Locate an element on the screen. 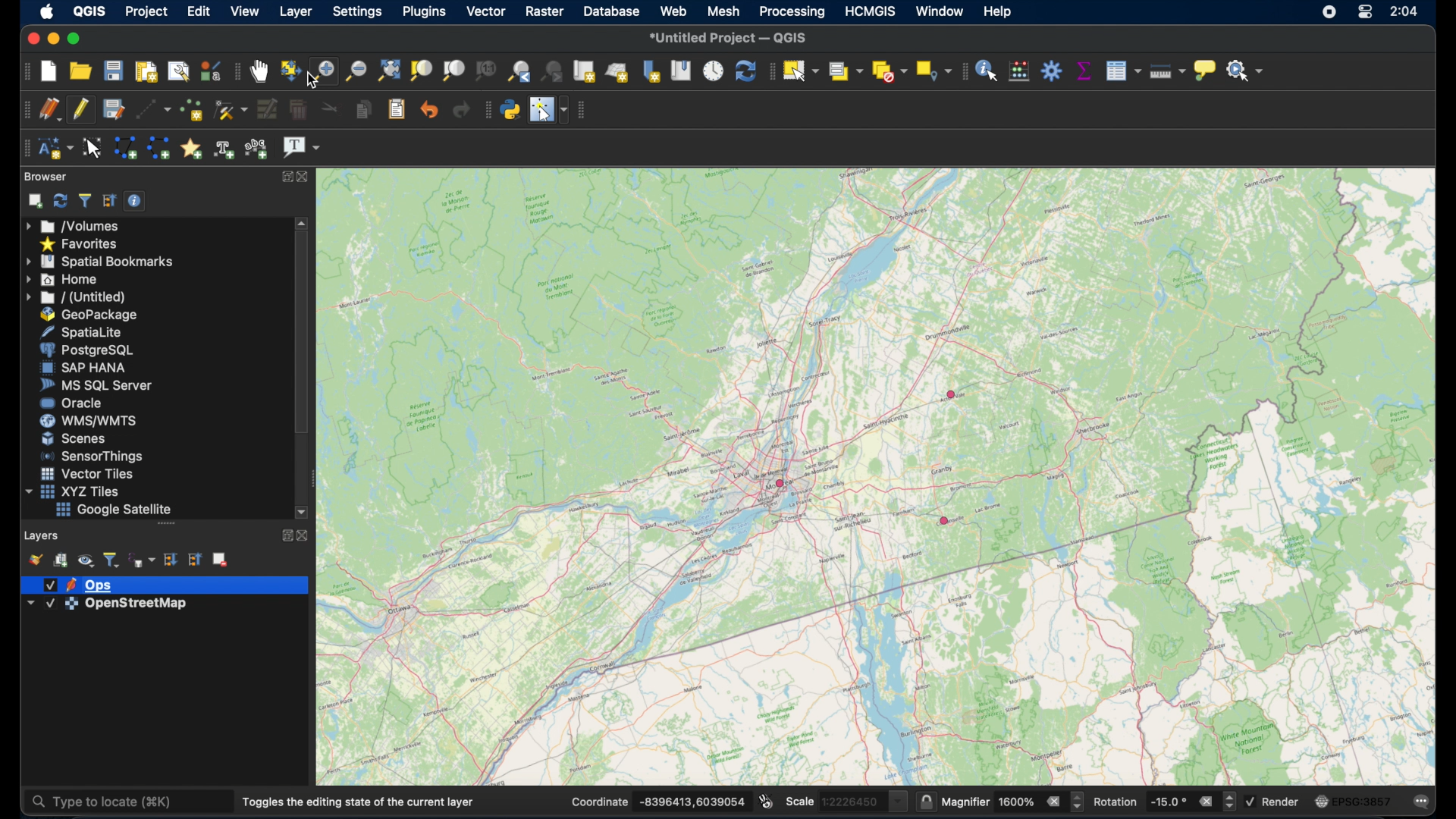  delete selected is located at coordinates (297, 110).